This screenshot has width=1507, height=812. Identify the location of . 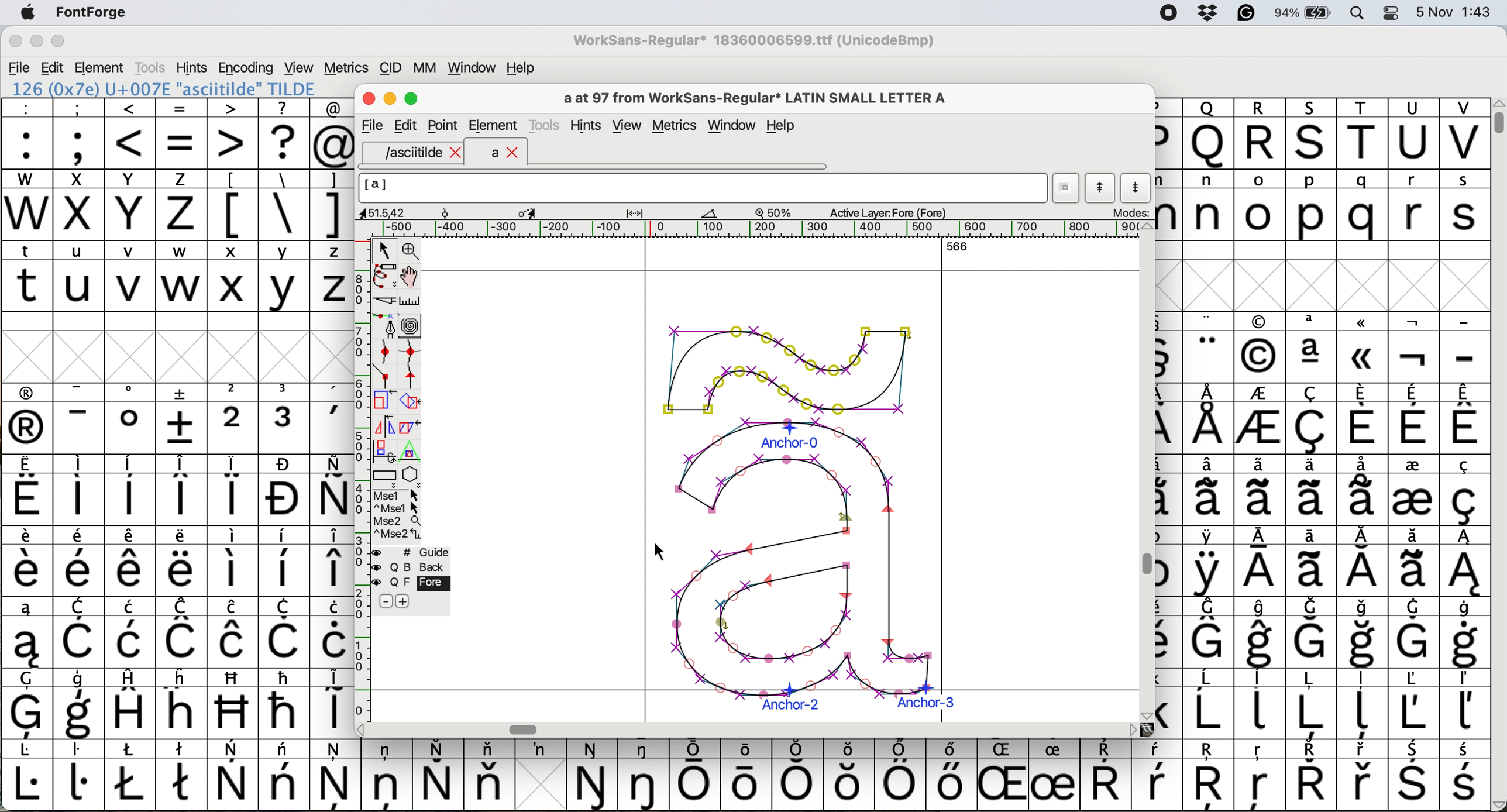
(1211, 776).